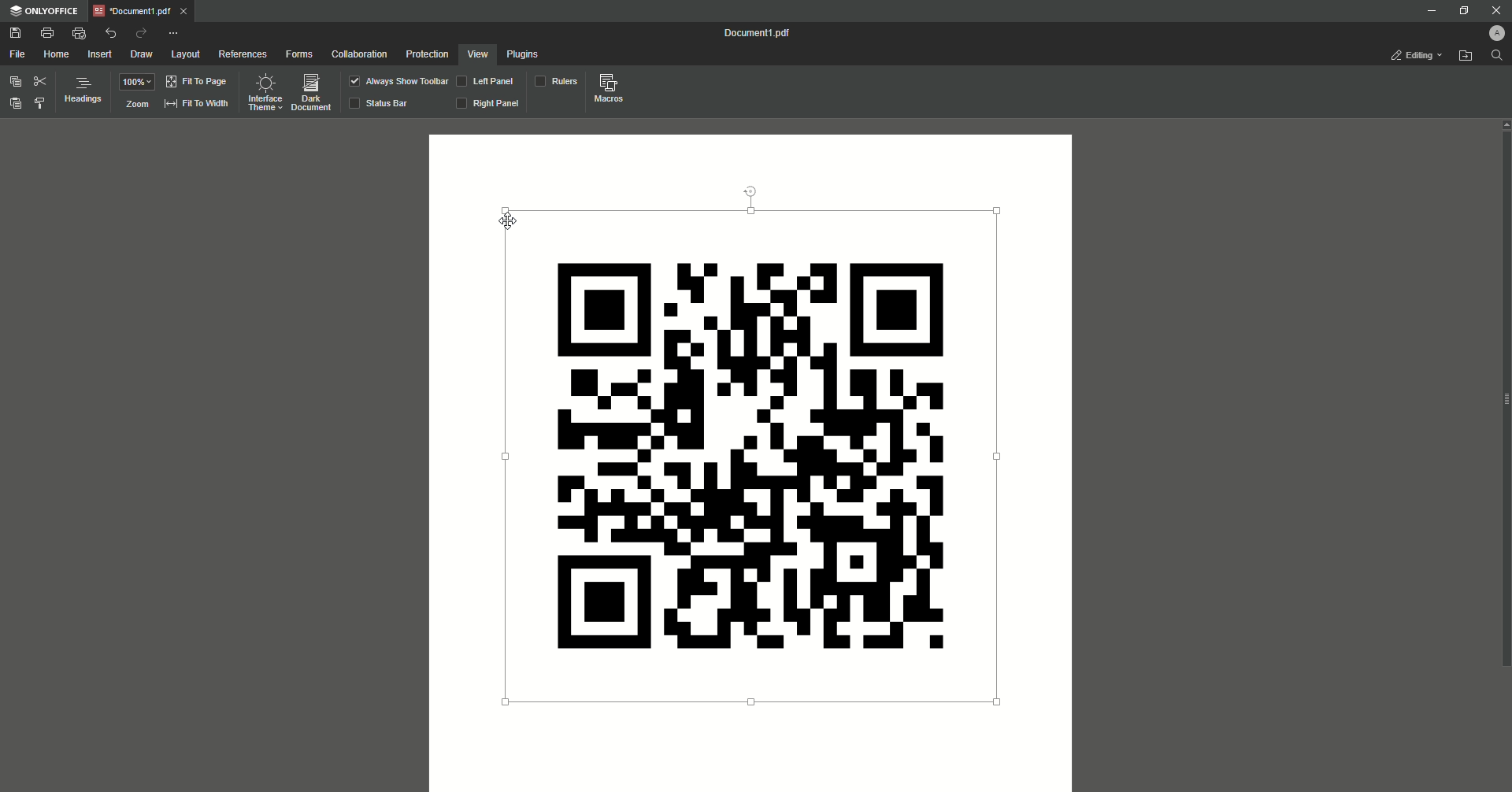 This screenshot has height=792, width=1512. What do you see at coordinates (17, 104) in the screenshot?
I see `Paste` at bounding box center [17, 104].